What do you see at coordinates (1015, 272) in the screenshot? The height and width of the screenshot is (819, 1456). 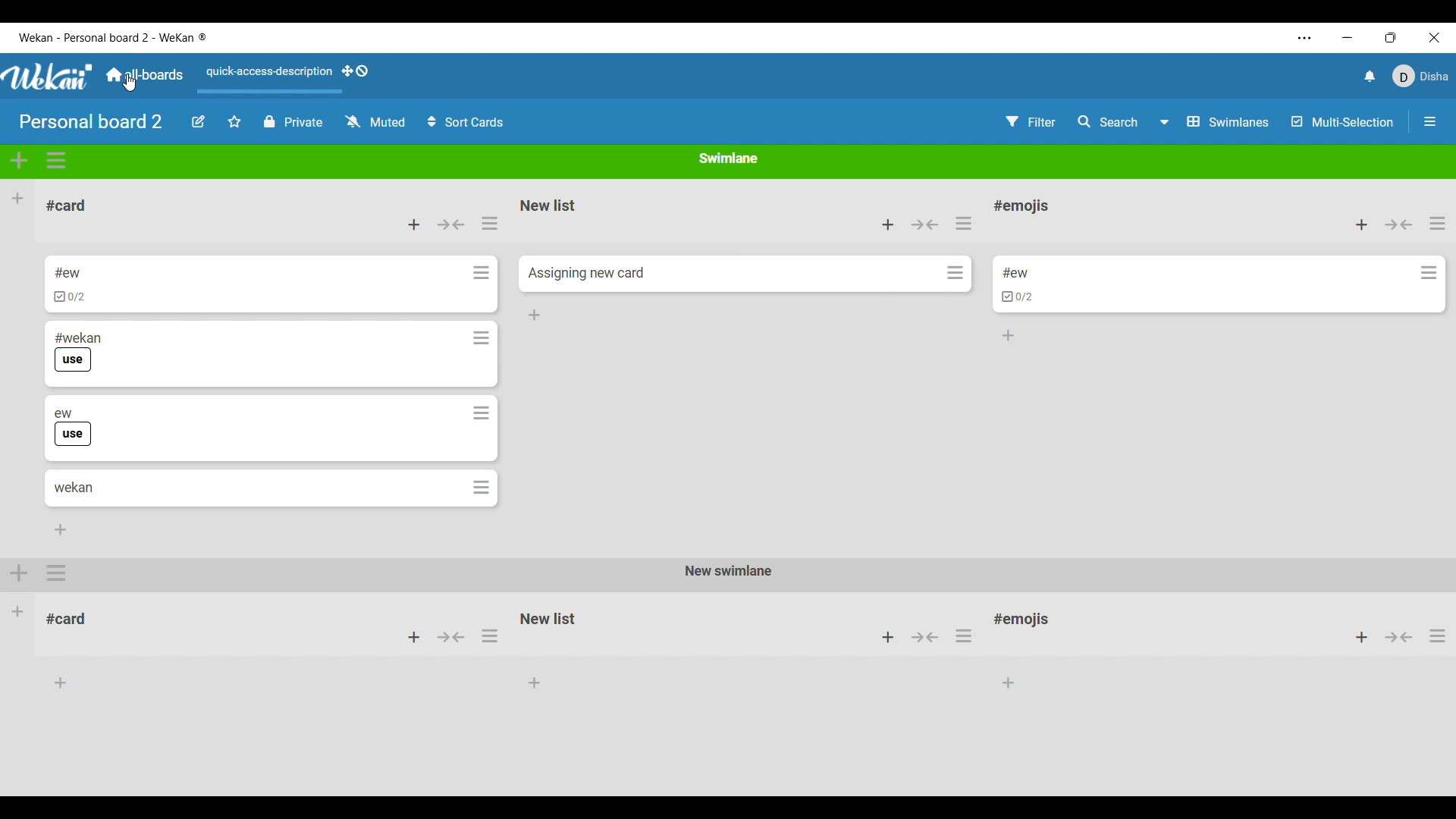 I see `Card name` at bounding box center [1015, 272].